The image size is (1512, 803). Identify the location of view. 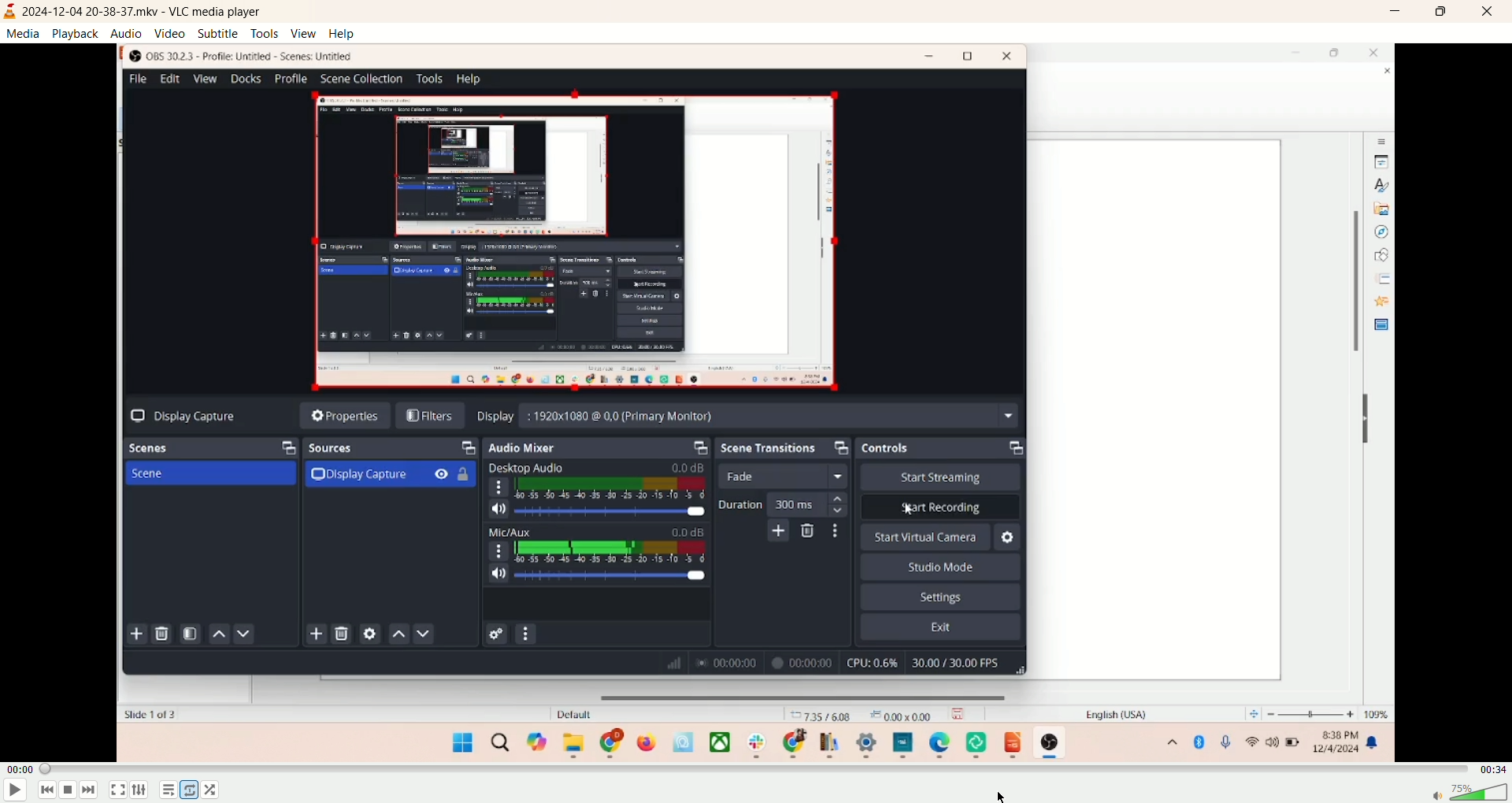
(304, 33).